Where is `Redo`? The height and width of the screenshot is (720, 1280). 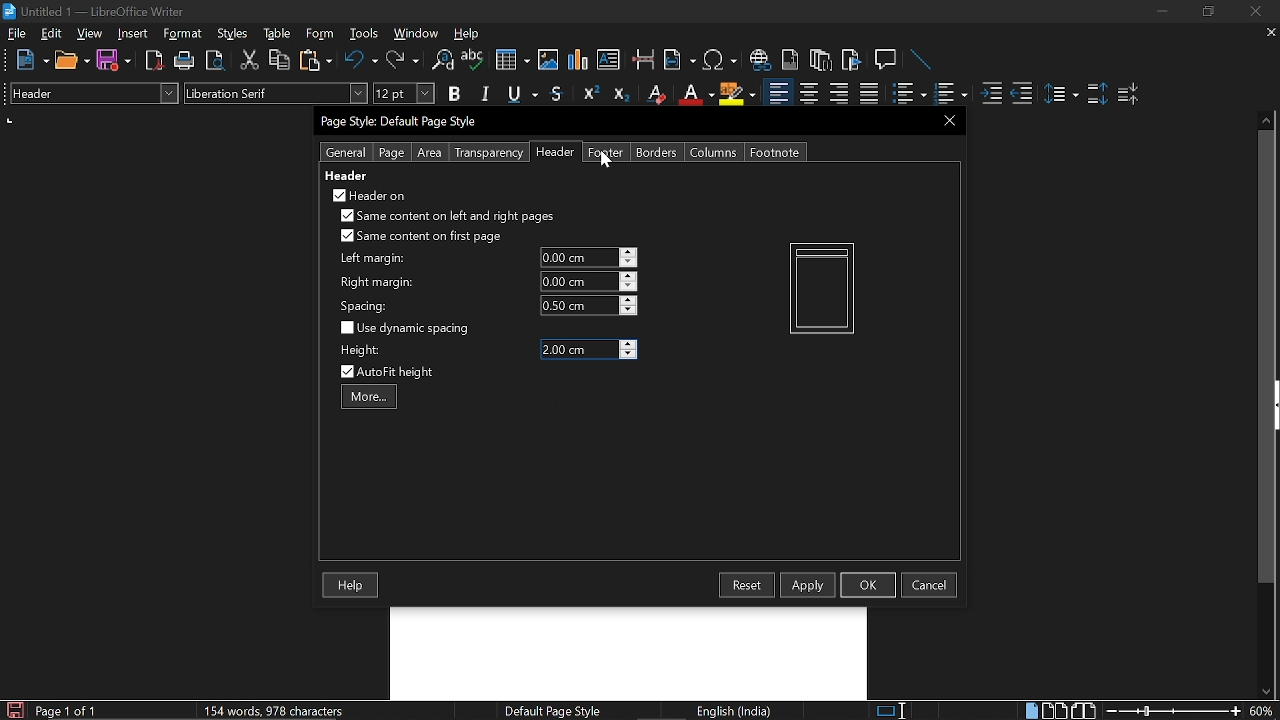
Redo is located at coordinates (402, 60).